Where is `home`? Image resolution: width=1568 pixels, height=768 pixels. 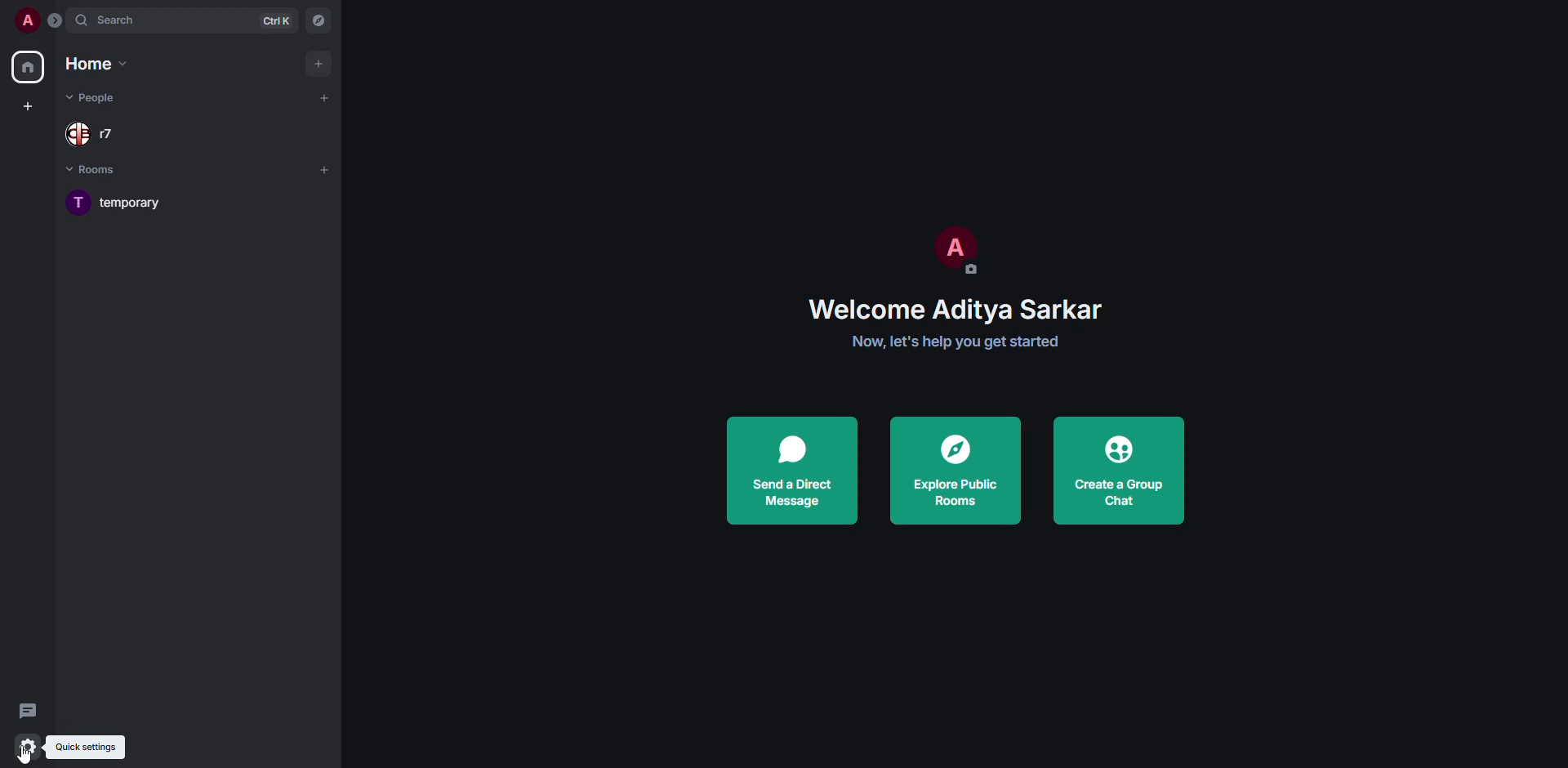
home is located at coordinates (28, 68).